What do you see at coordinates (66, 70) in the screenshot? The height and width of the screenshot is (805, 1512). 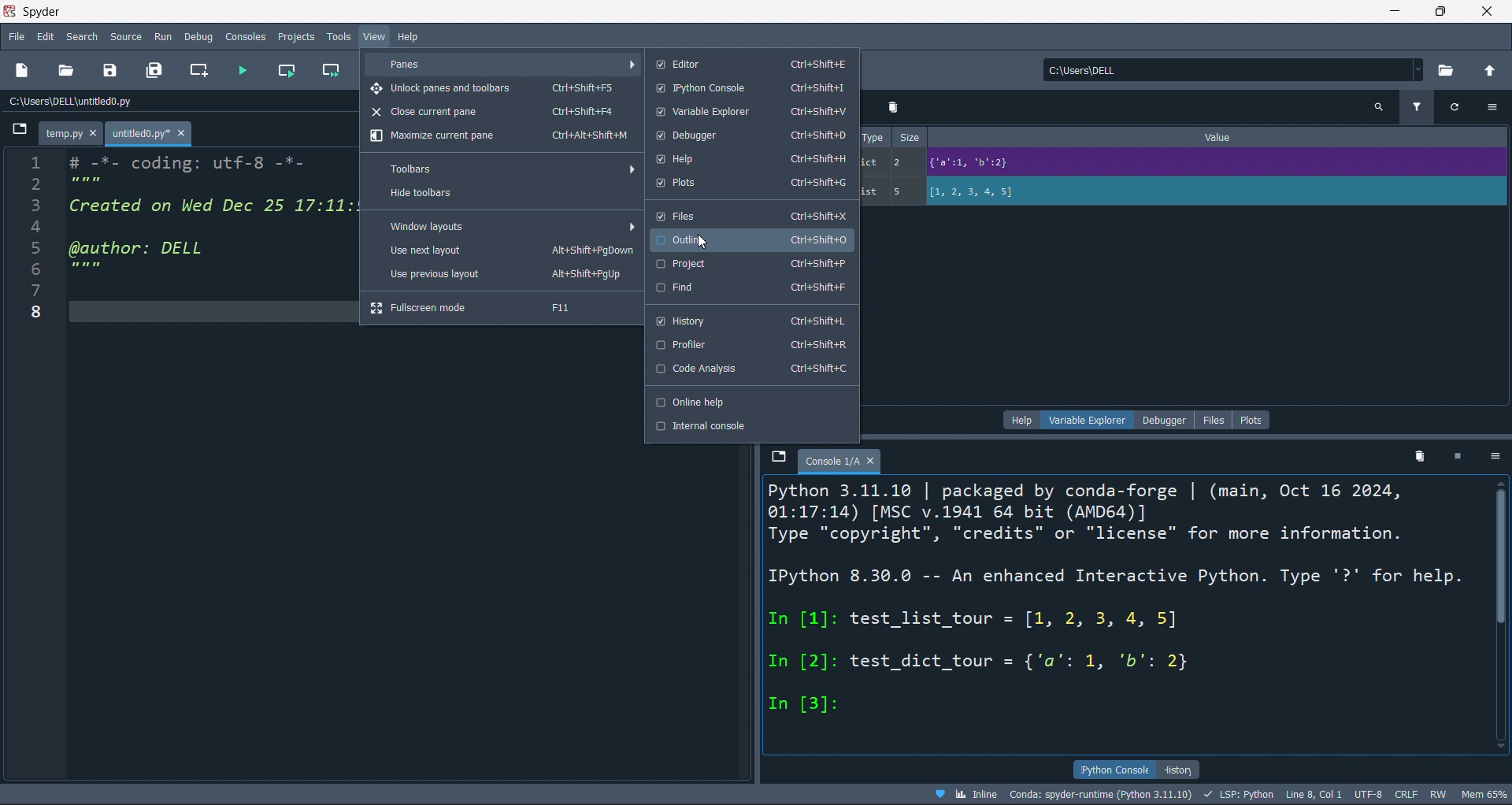 I see `open file` at bounding box center [66, 70].